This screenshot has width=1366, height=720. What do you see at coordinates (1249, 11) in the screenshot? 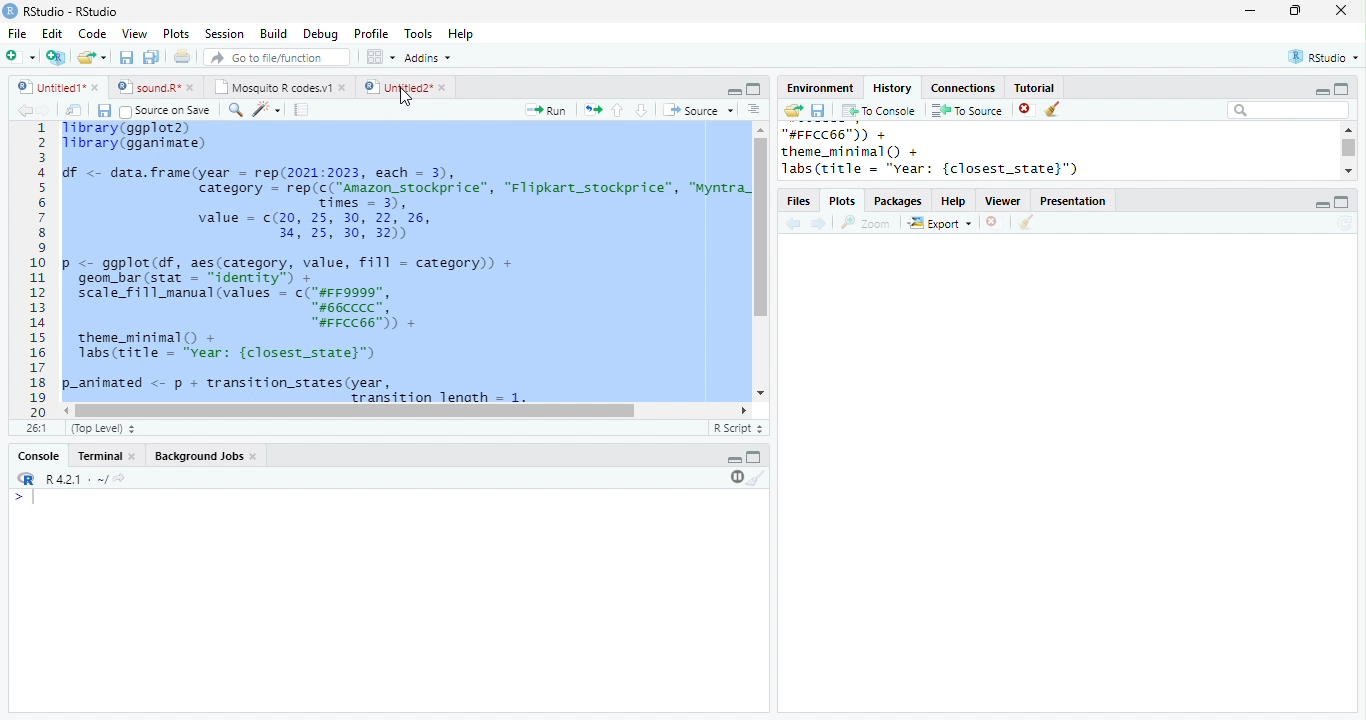
I see `minimize` at bounding box center [1249, 11].